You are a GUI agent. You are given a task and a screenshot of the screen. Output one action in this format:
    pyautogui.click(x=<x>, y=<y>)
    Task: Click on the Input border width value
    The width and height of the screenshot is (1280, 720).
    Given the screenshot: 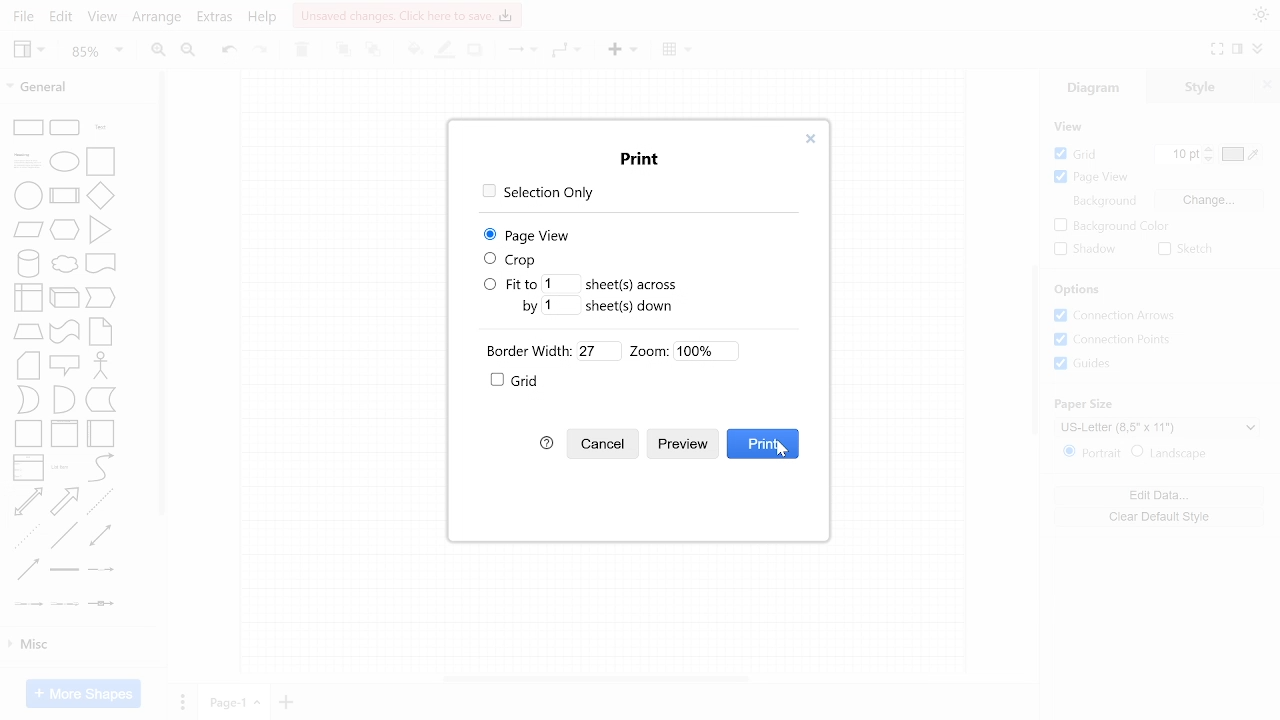 What is the action you would take?
    pyautogui.click(x=599, y=351)
    